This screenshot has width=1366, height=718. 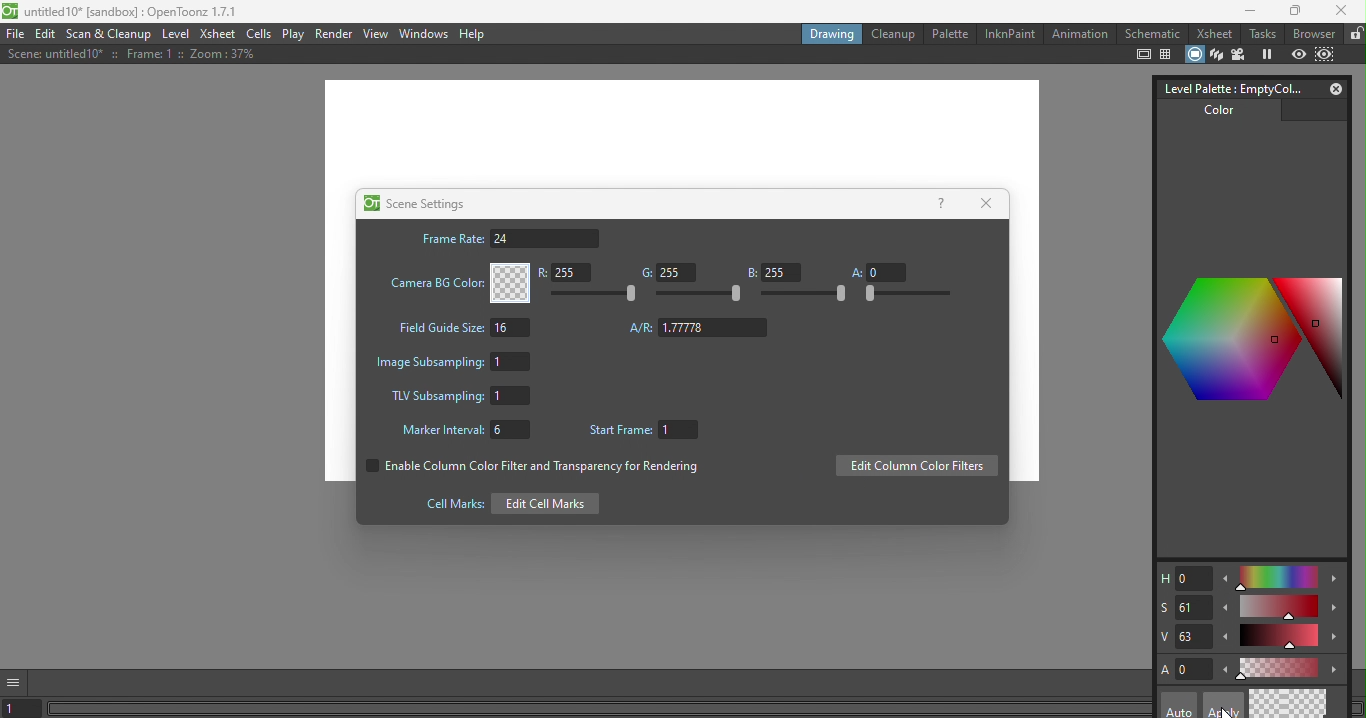 I want to click on Edit, so click(x=48, y=35).